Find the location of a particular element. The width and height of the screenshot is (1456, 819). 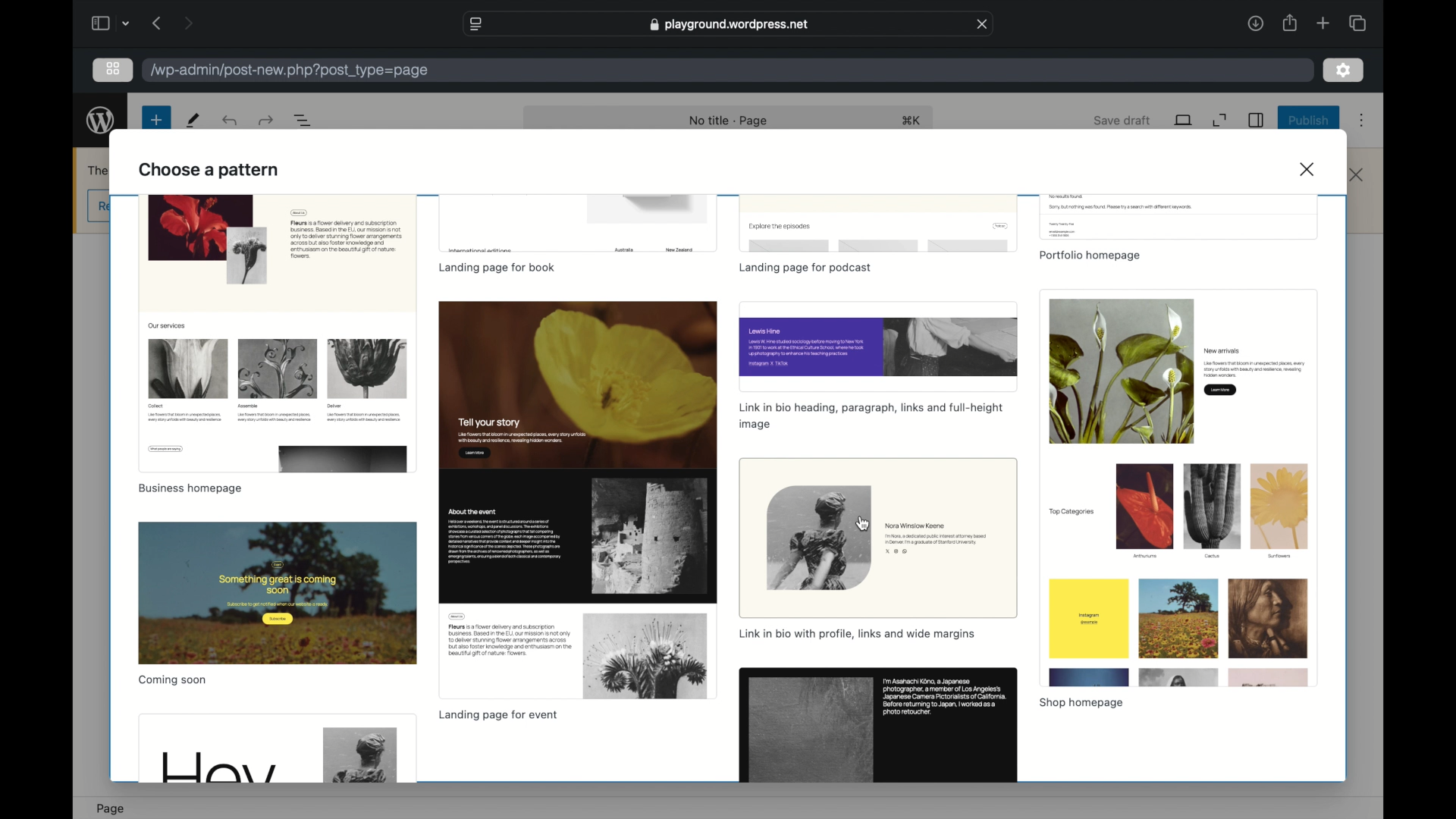

redo is located at coordinates (231, 120).